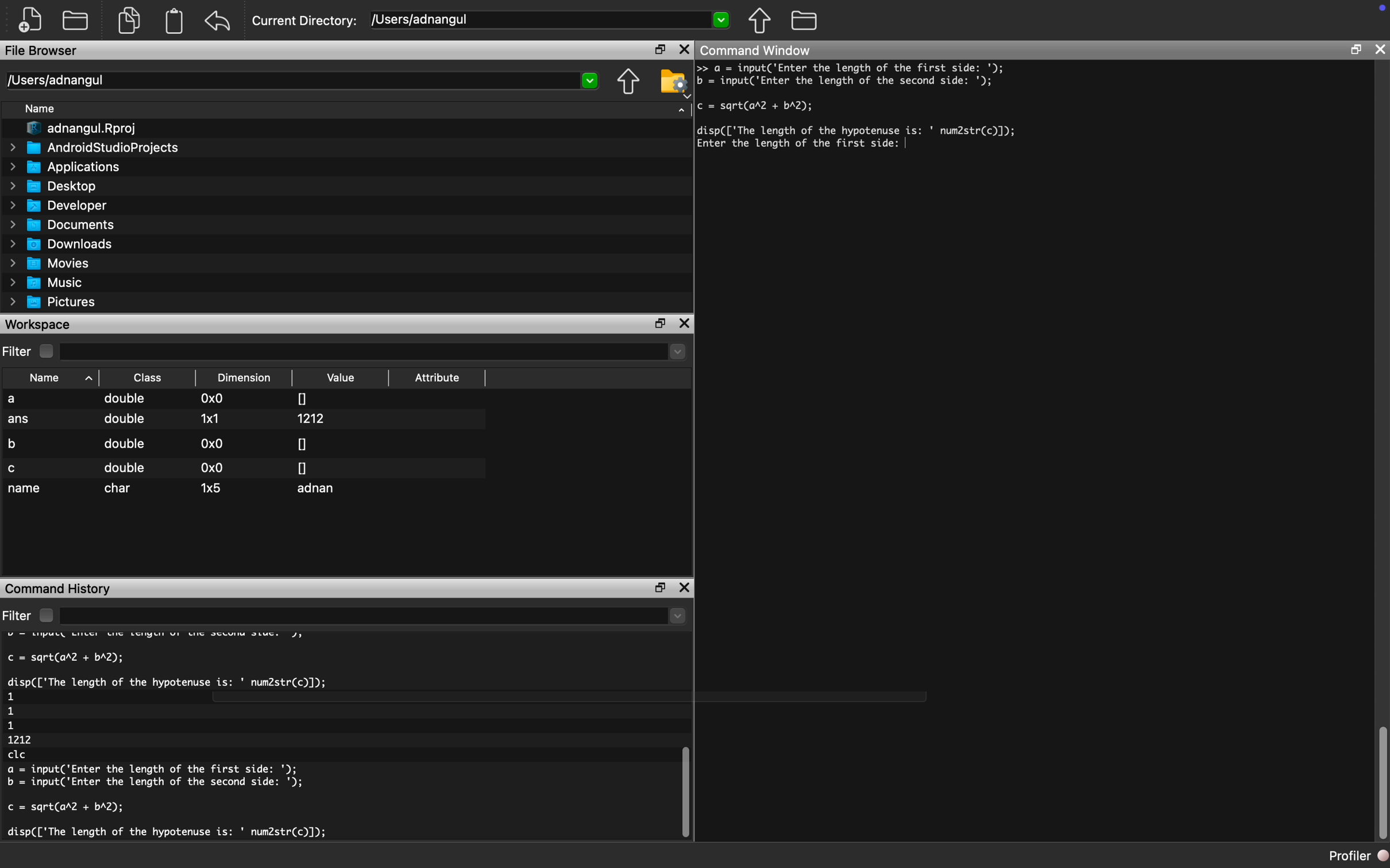 This screenshot has width=1390, height=868. What do you see at coordinates (375, 352) in the screenshot?
I see `dropdown` at bounding box center [375, 352].